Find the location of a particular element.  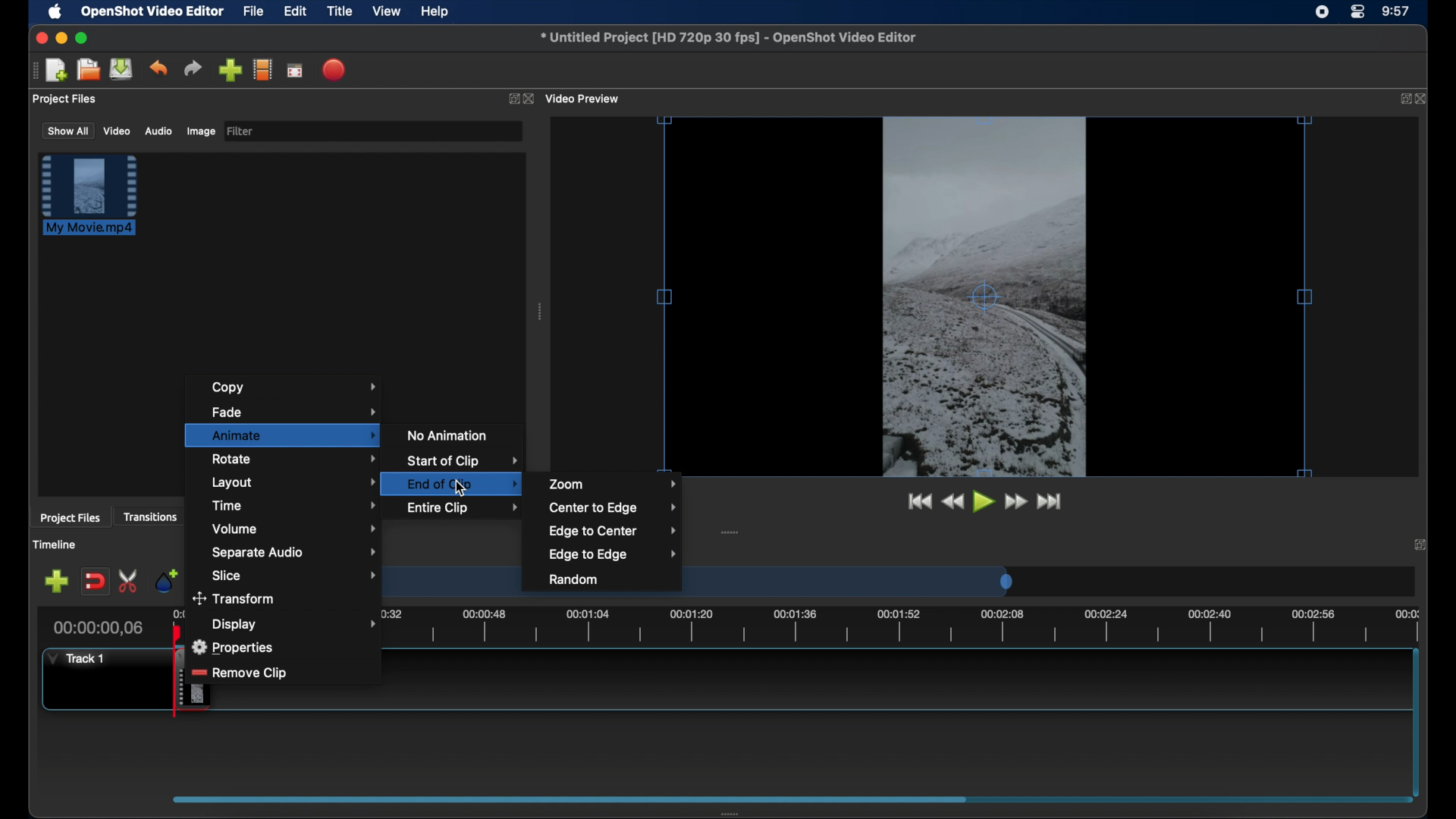

video is located at coordinates (118, 130).